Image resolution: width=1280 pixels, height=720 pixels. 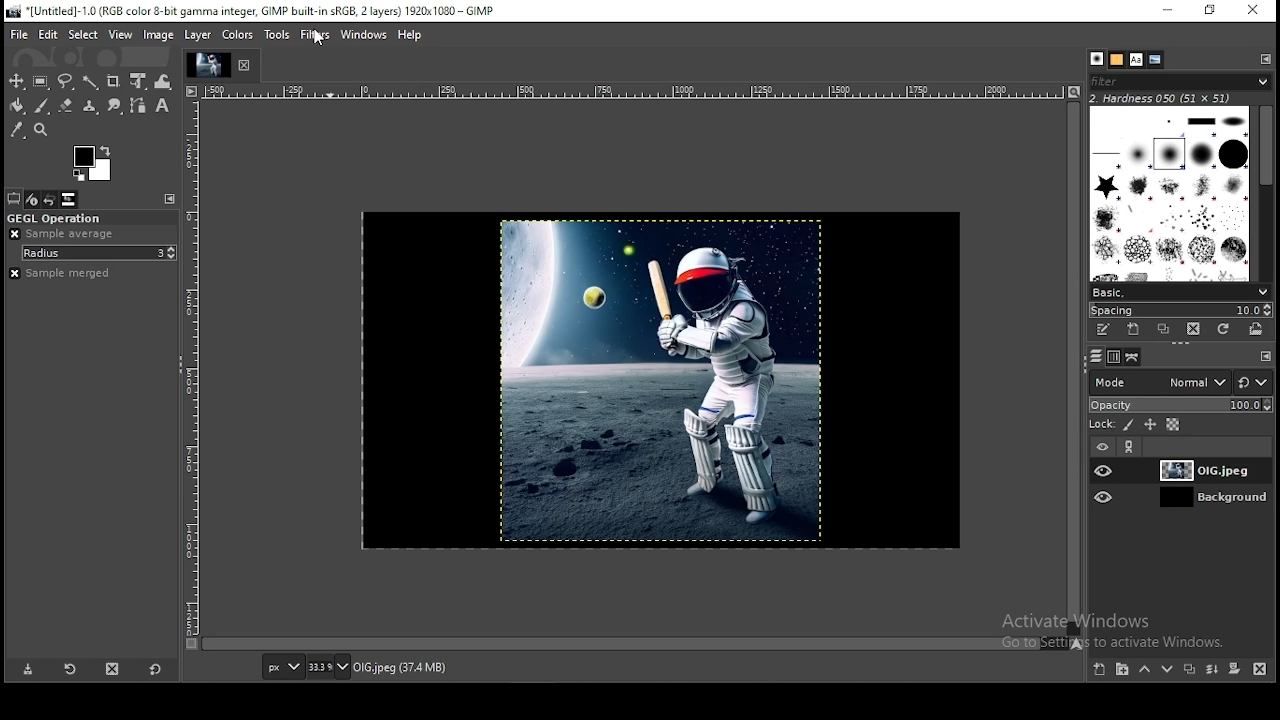 I want to click on layers, so click(x=1096, y=357).